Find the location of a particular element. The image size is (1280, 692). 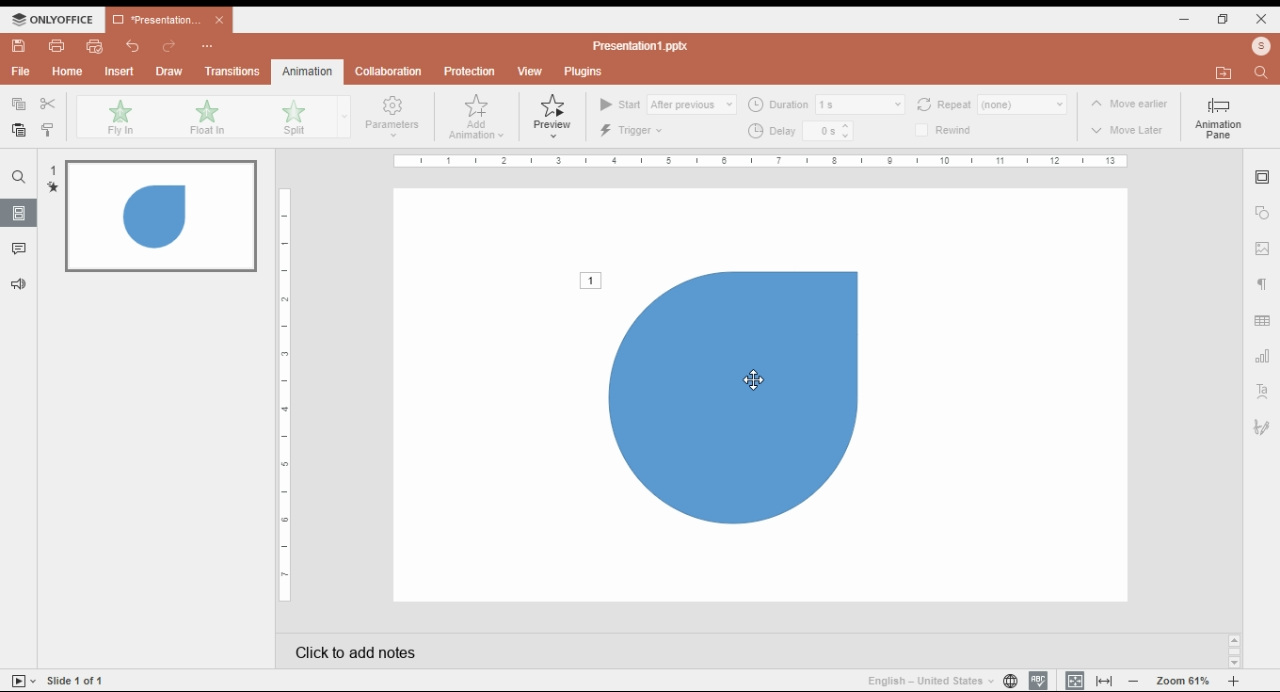

more is located at coordinates (207, 44).